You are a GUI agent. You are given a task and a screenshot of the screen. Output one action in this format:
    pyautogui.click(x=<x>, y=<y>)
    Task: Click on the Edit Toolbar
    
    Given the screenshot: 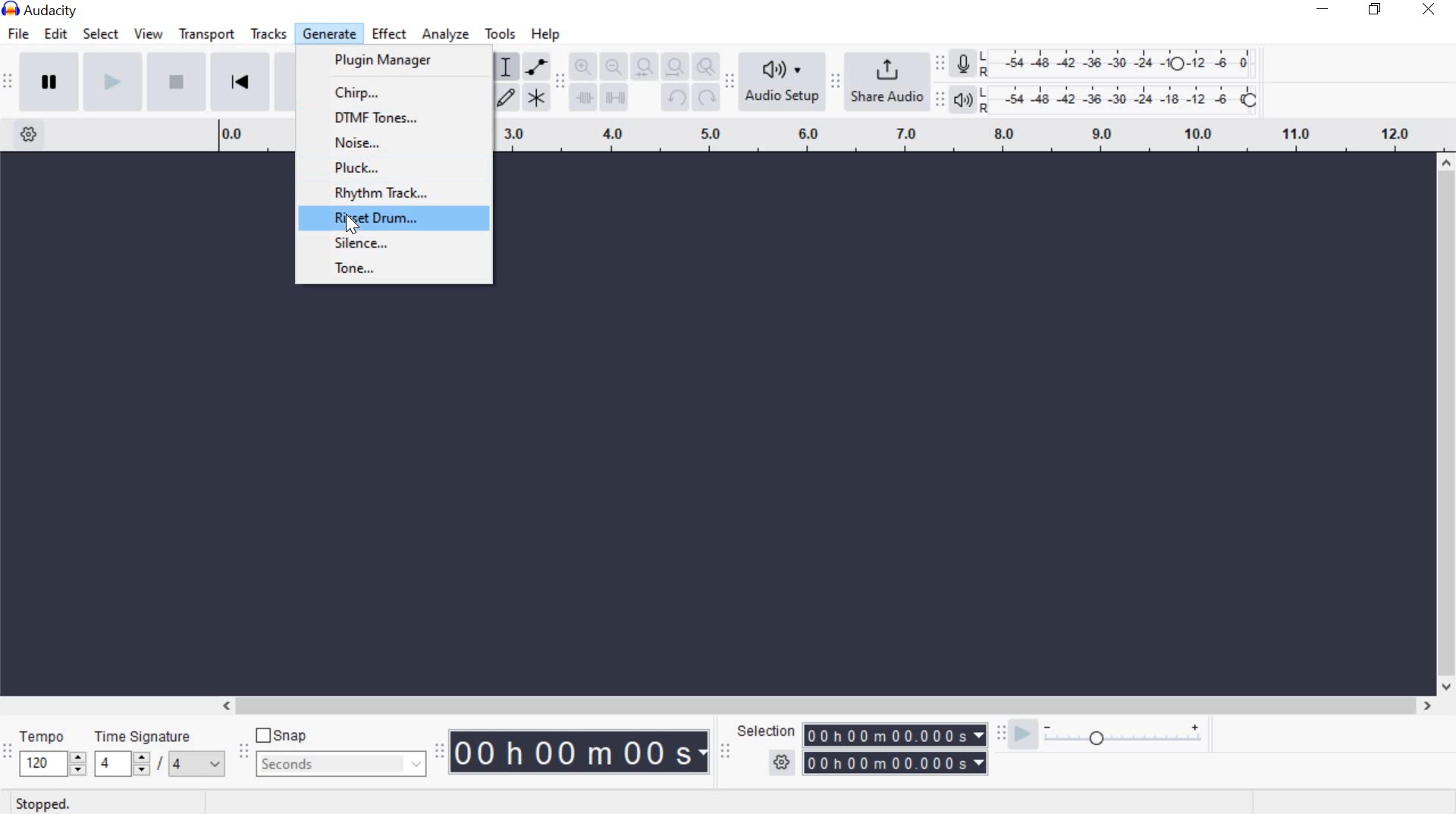 What is the action you would take?
    pyautogui.click(x=559, y=84)
    